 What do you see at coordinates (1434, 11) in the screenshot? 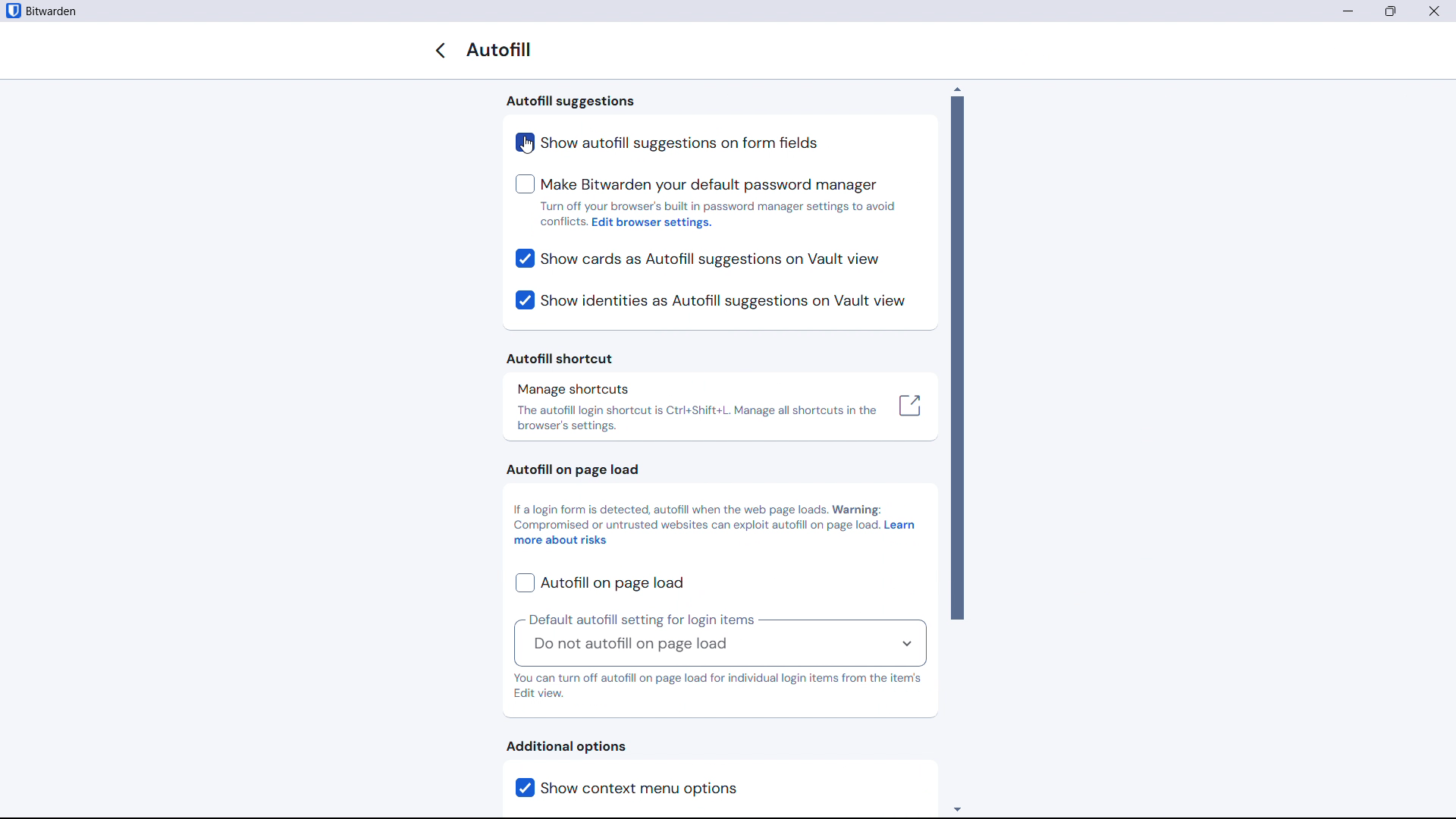
I see `close ` at bounding box center [1434, 11].